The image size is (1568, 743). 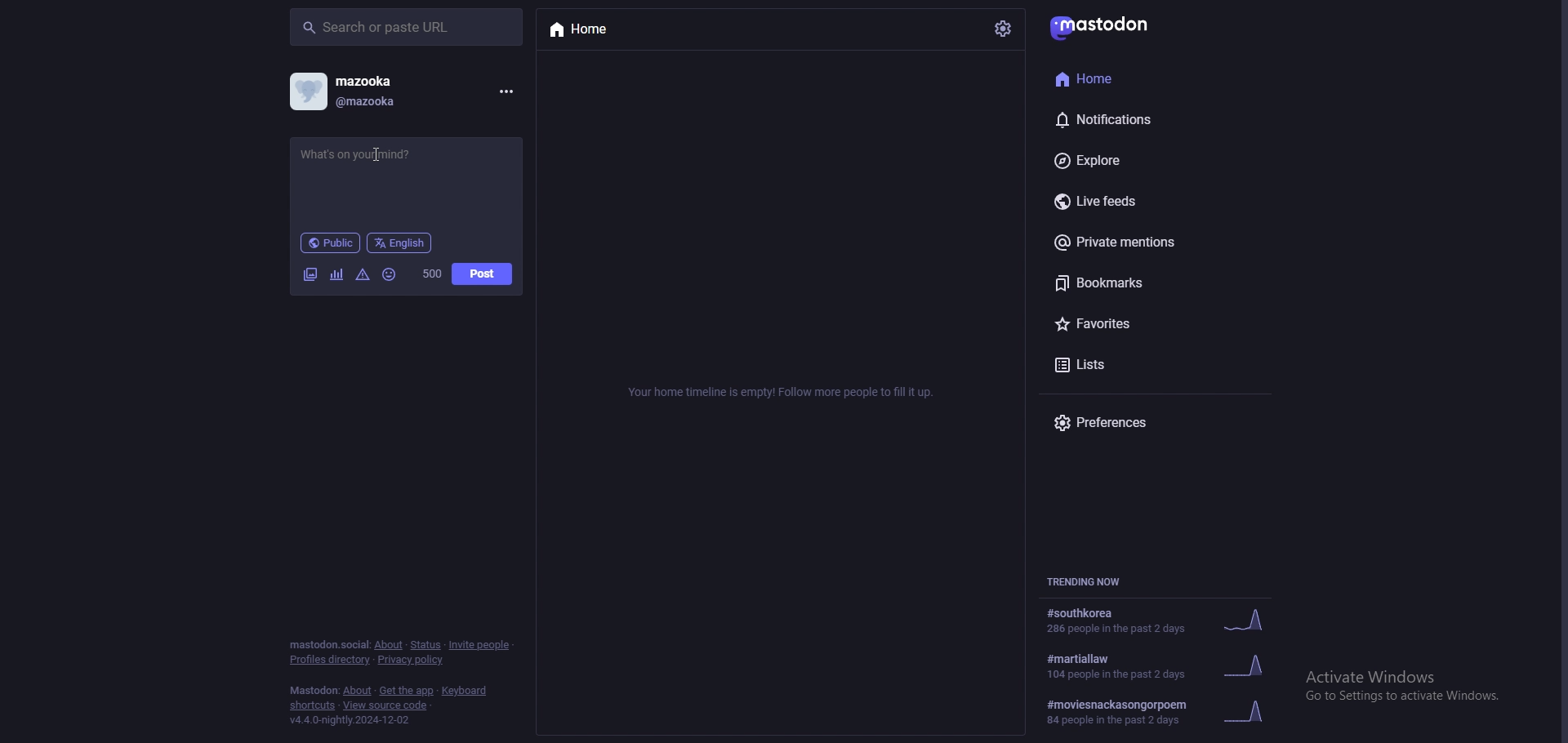 What do you see at coordinates (312, 691) in the screenshot?
I see `mastodon` at bounding box center [312, 691].